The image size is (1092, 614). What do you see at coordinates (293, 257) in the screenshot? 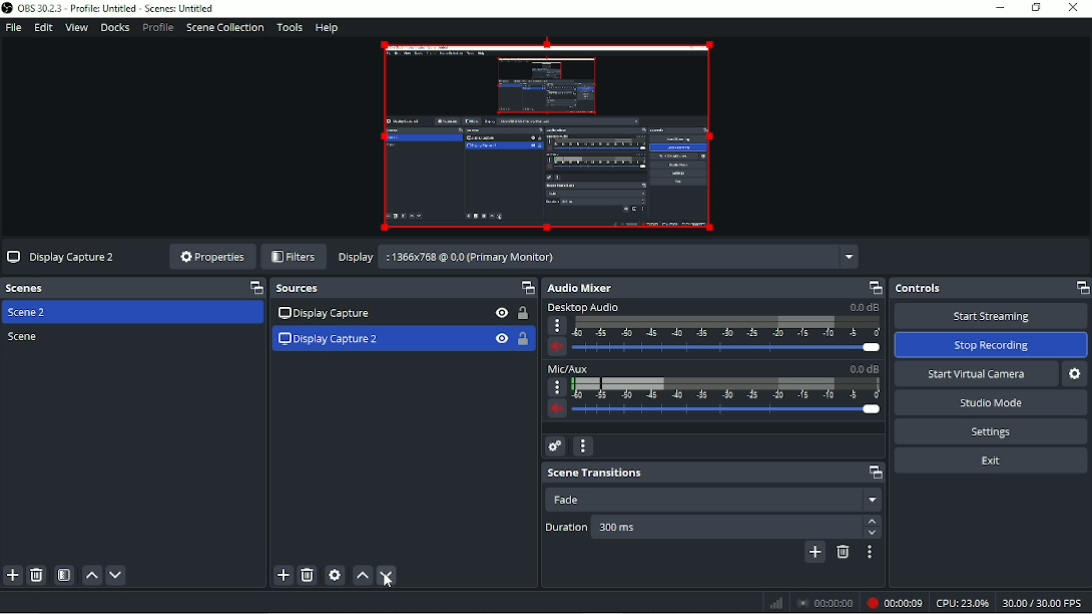
I see `Filters` at bounding box center [293, 257].